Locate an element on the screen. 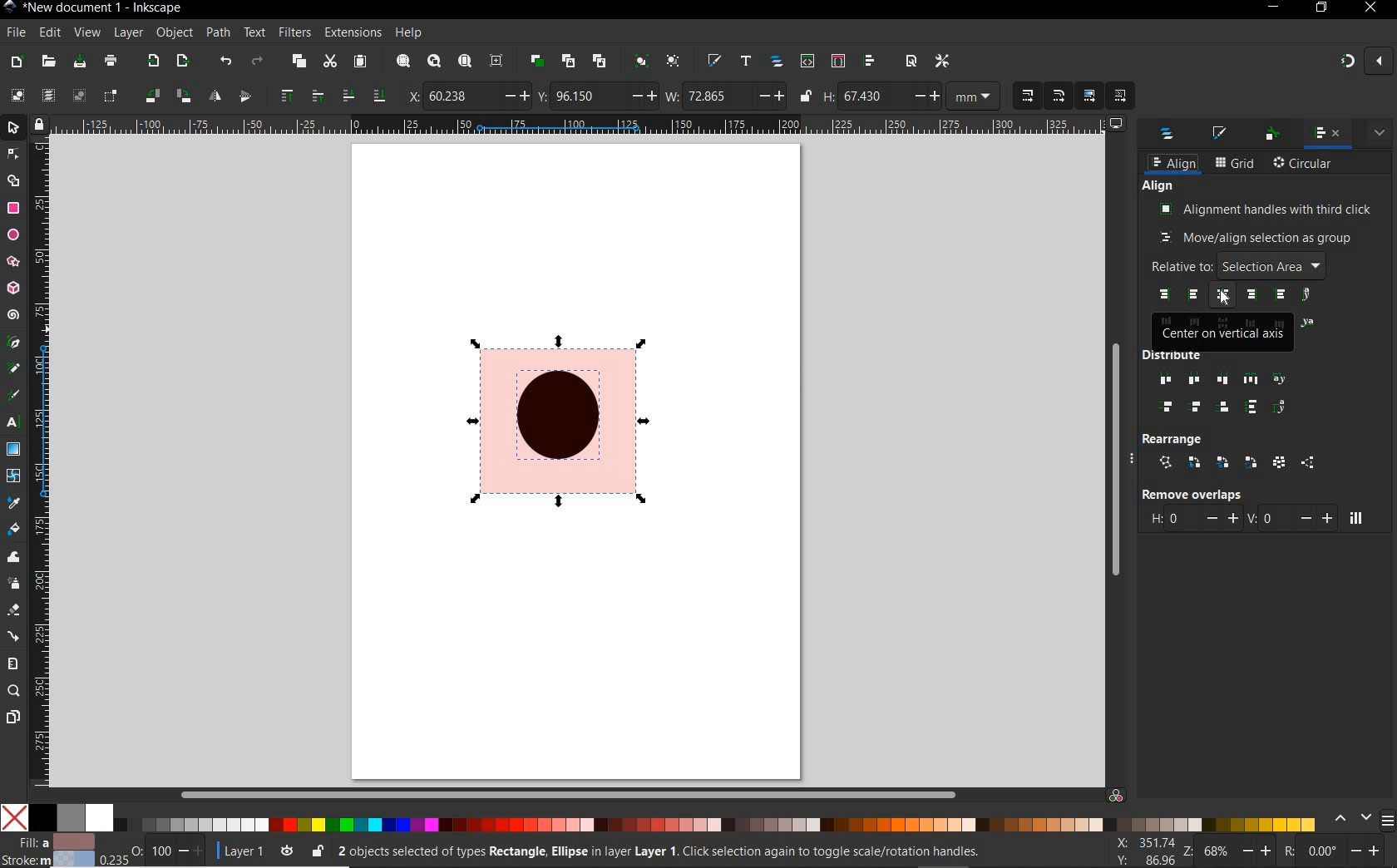  EVEN RIGHT EDGES is located at coordinates (1224, 381).